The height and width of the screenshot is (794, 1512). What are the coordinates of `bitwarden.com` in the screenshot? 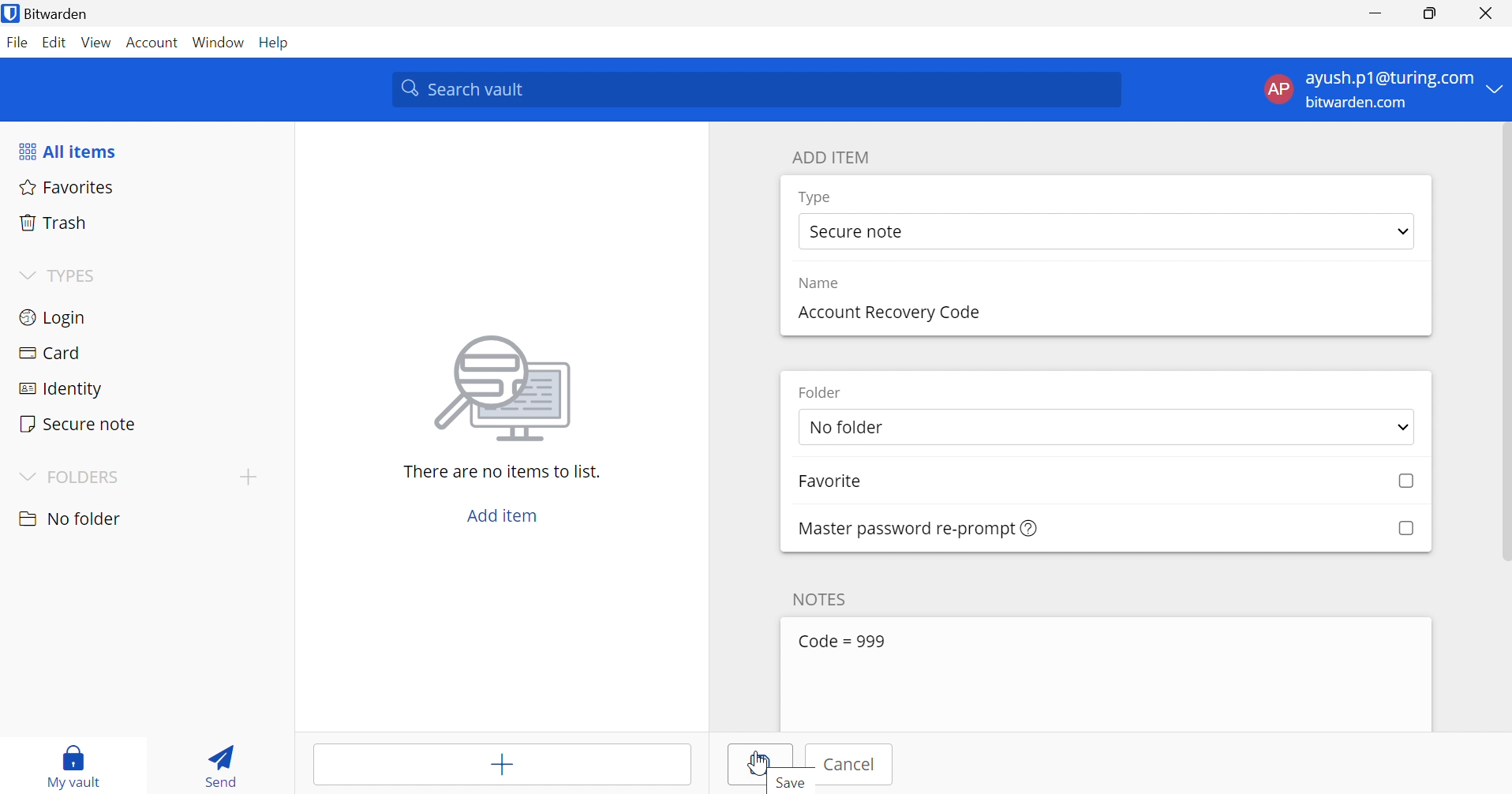 It's located at (1356, 103).